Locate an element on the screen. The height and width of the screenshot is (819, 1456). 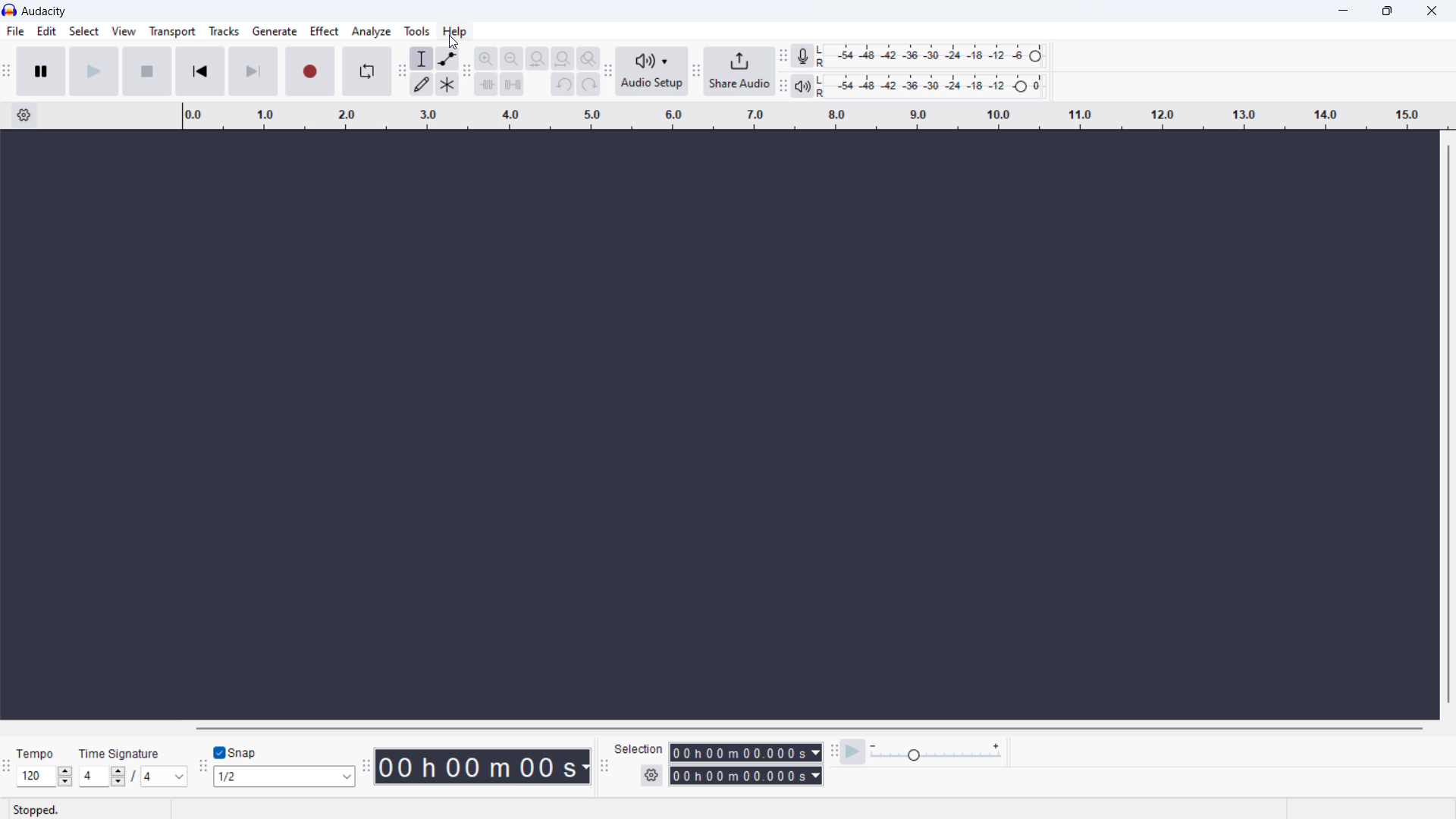
horizontal scrollbar is located at coordinates (805, 728).